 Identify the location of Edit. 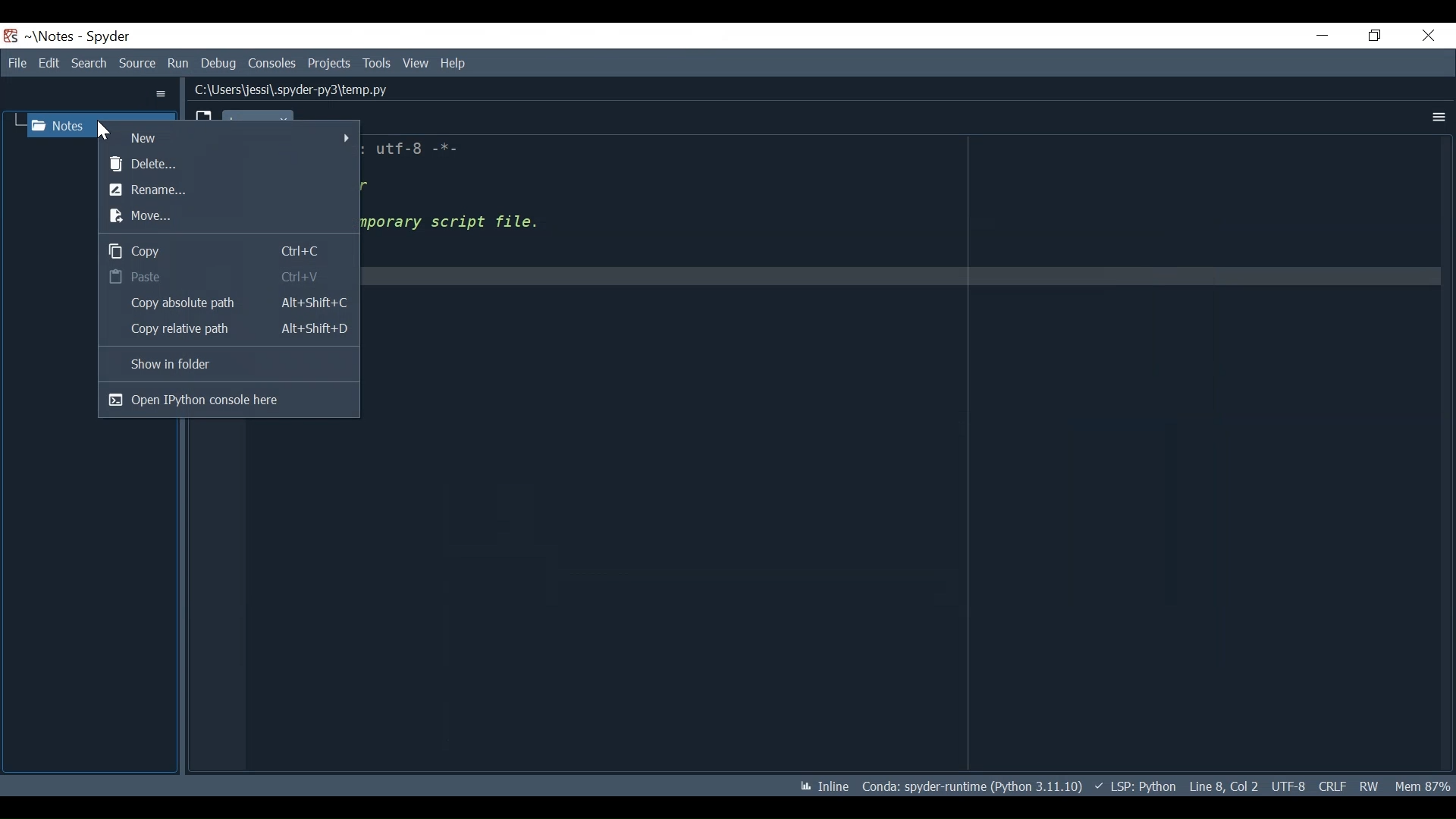
(48, 63).